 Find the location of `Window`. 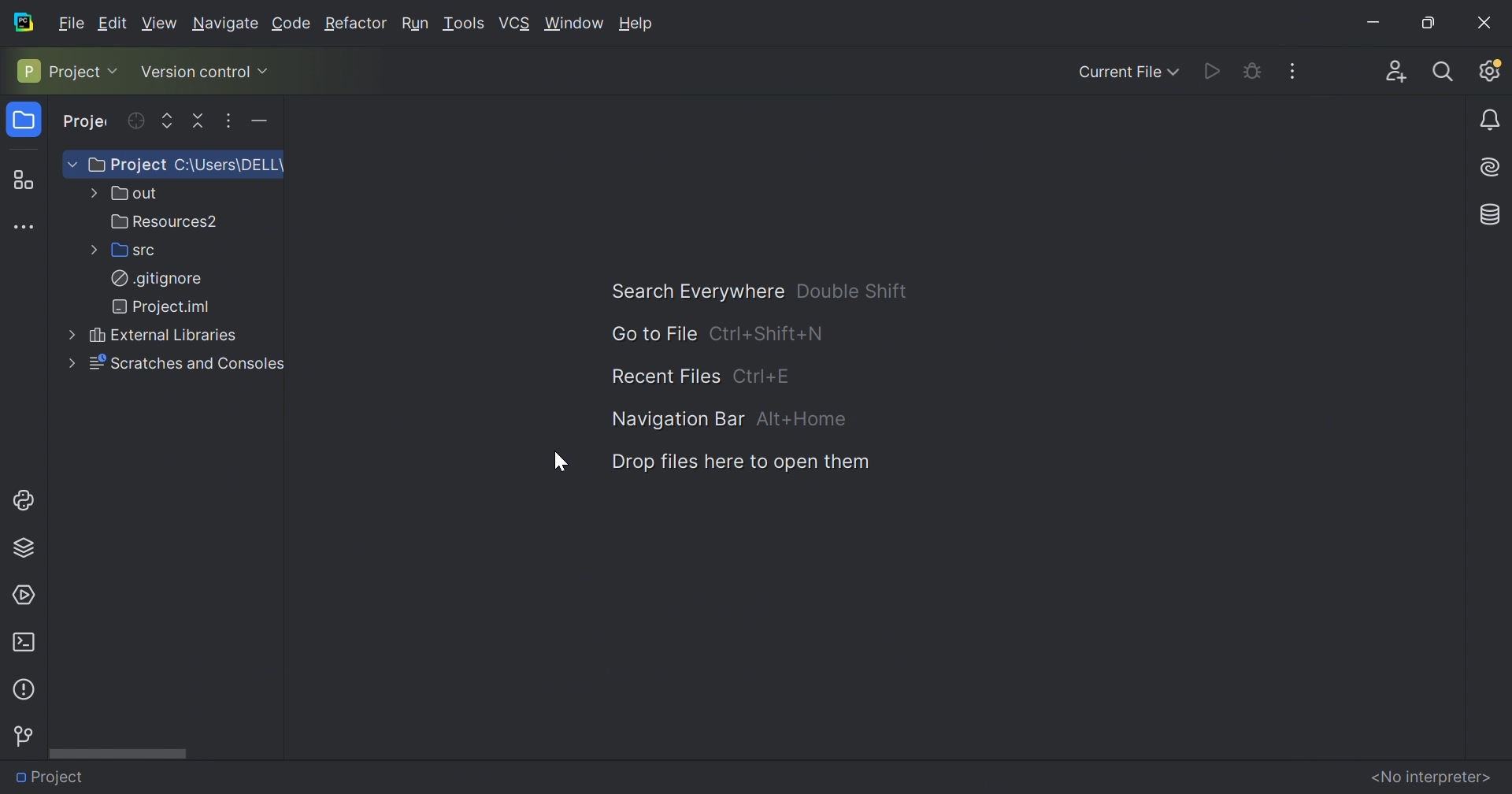

Window is located at coordinates (574, 24).